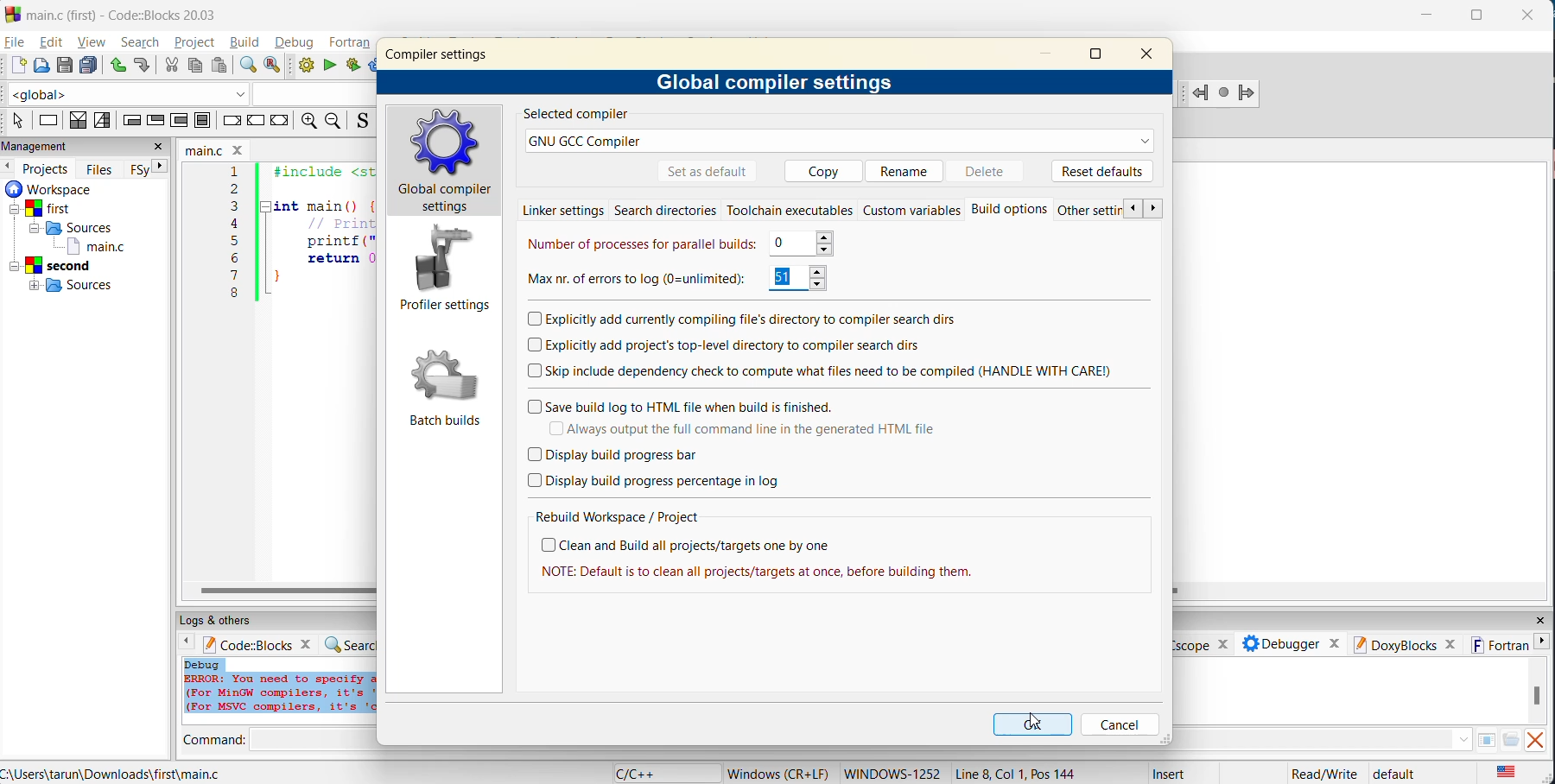  I want to click on paste, so click(220, 66).